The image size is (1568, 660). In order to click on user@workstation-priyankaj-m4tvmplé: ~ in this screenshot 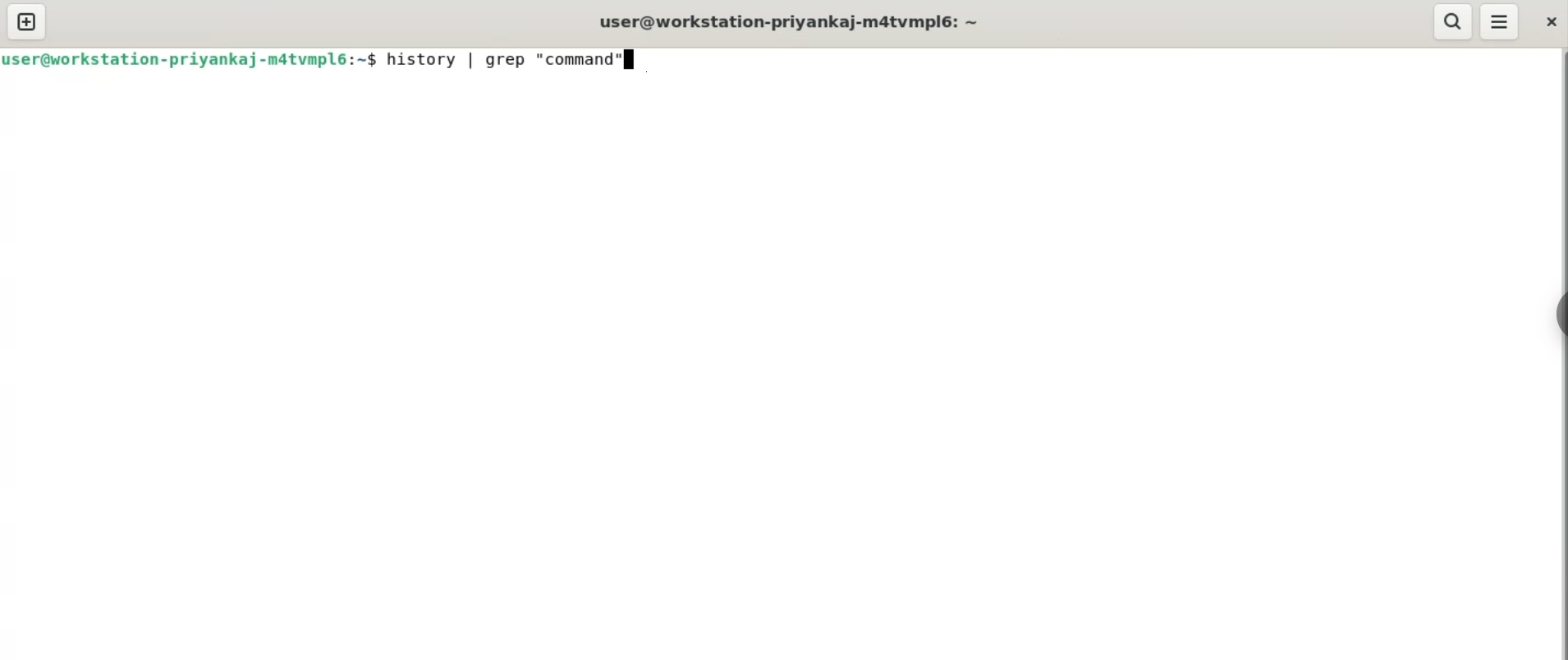, I will do `click(800, 21)`.